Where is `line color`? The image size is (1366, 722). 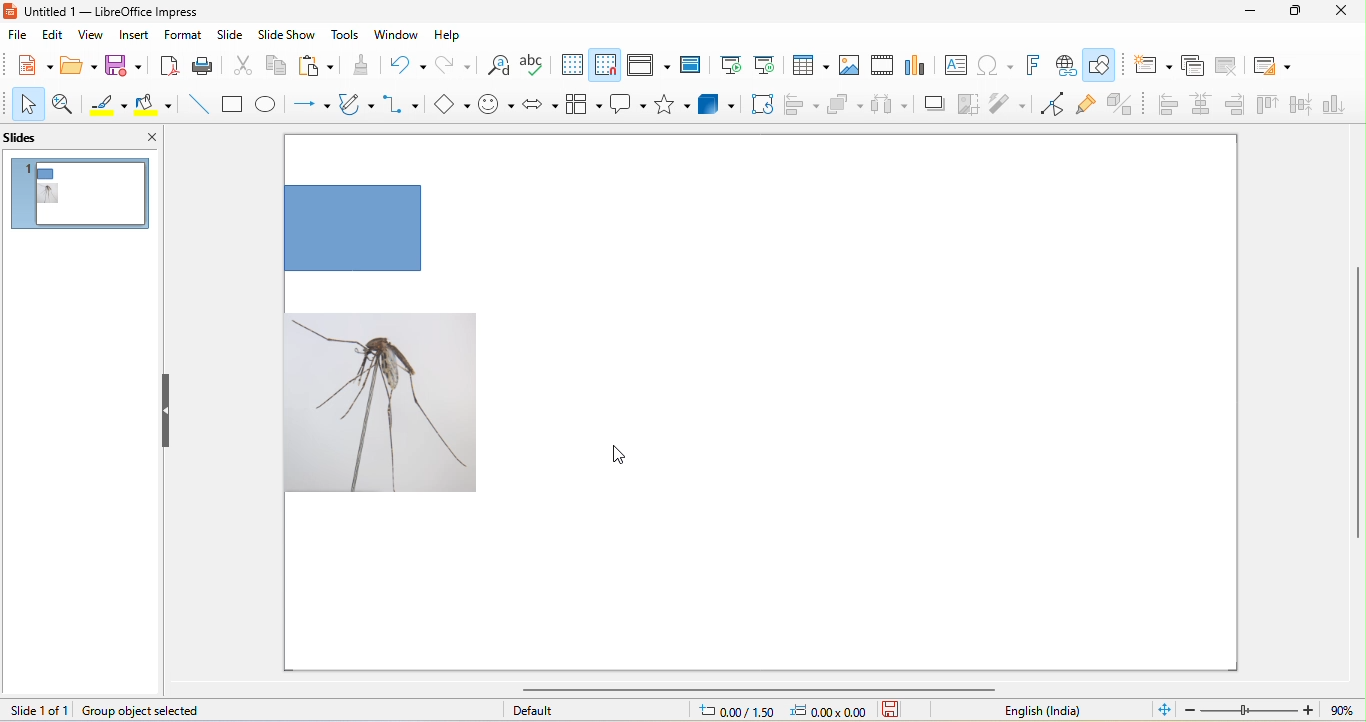 line color is located at coordinates (108, 104).